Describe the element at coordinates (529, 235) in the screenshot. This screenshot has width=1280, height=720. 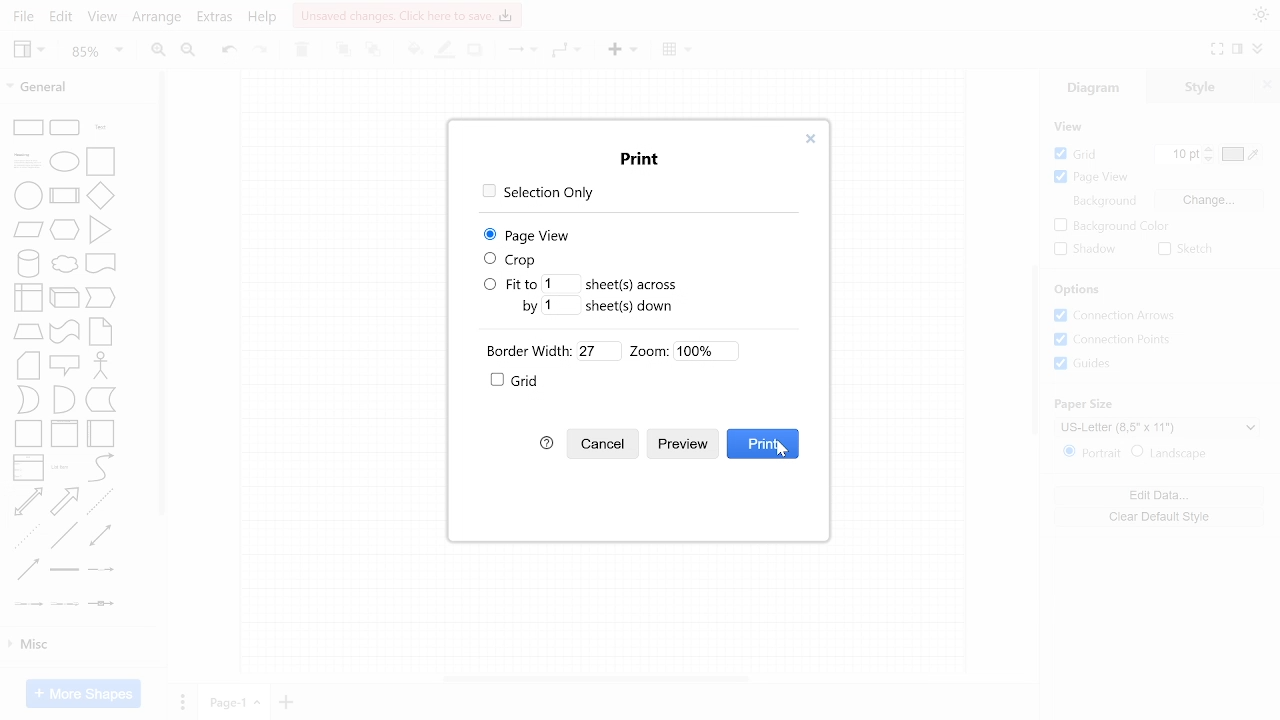
I see `Page view` at that location.